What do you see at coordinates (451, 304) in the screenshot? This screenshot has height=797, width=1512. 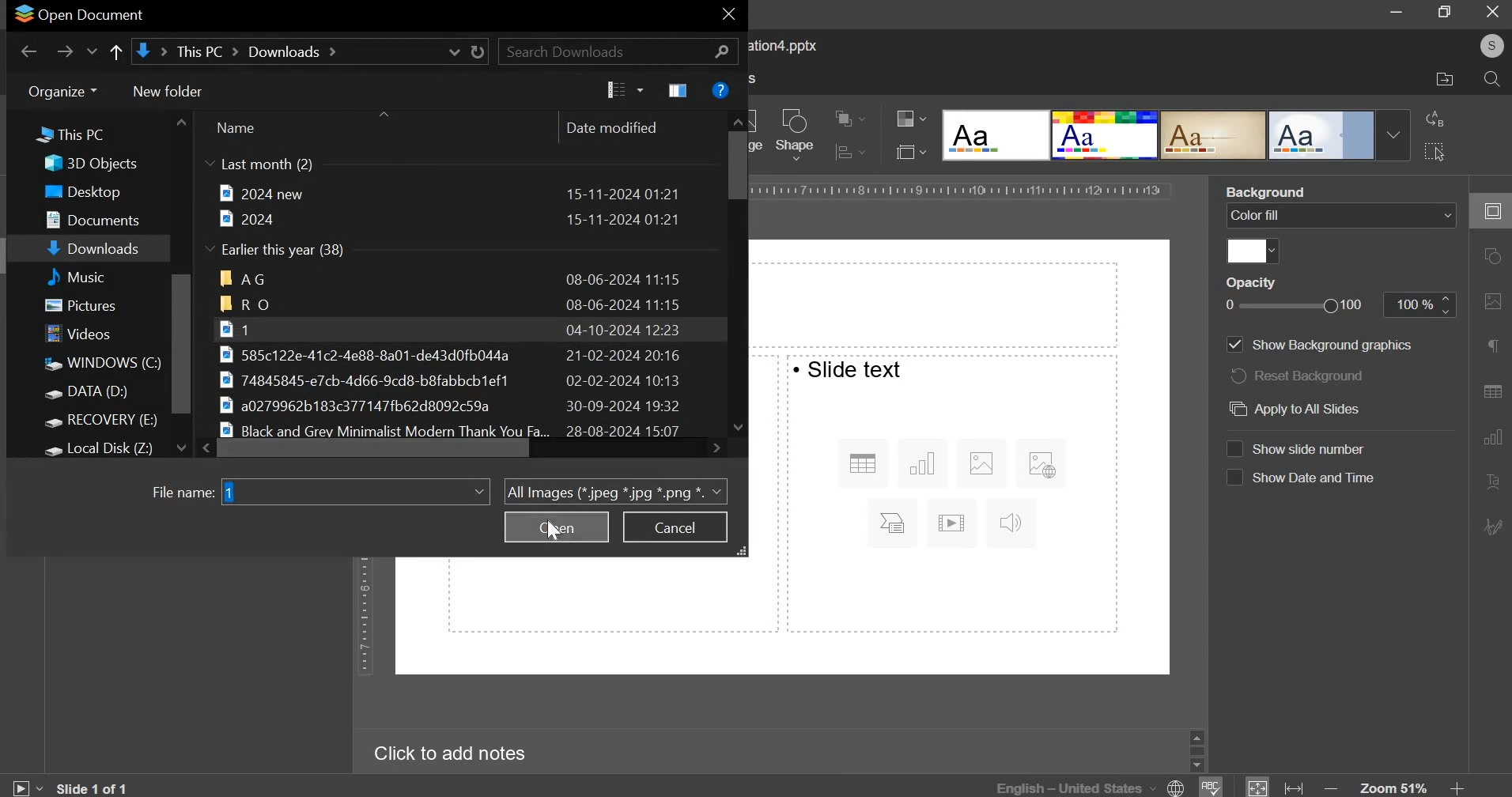 I see `Folder ` at bounding box center [451, 304].